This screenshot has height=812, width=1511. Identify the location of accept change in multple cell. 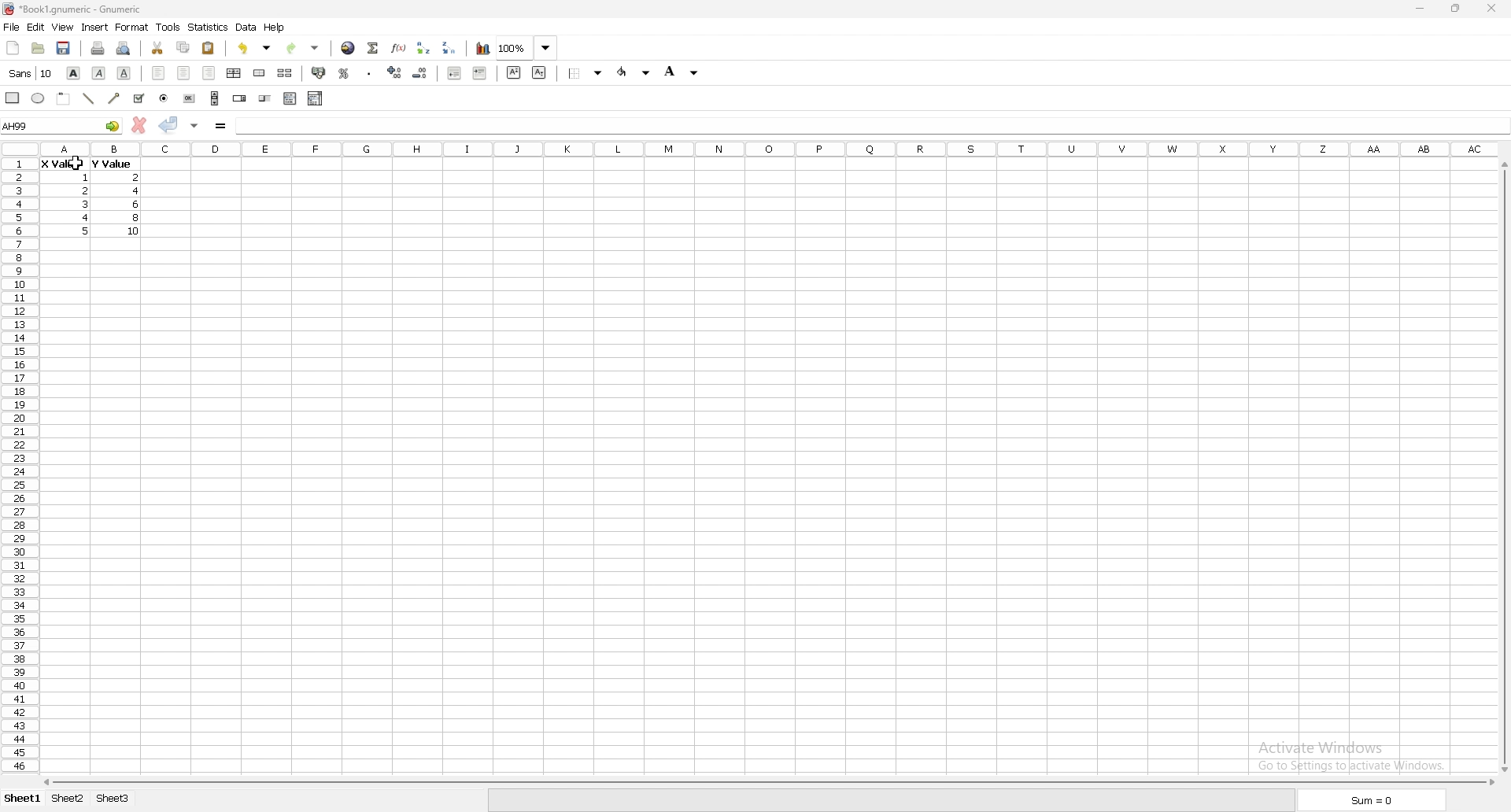
(196, 124).